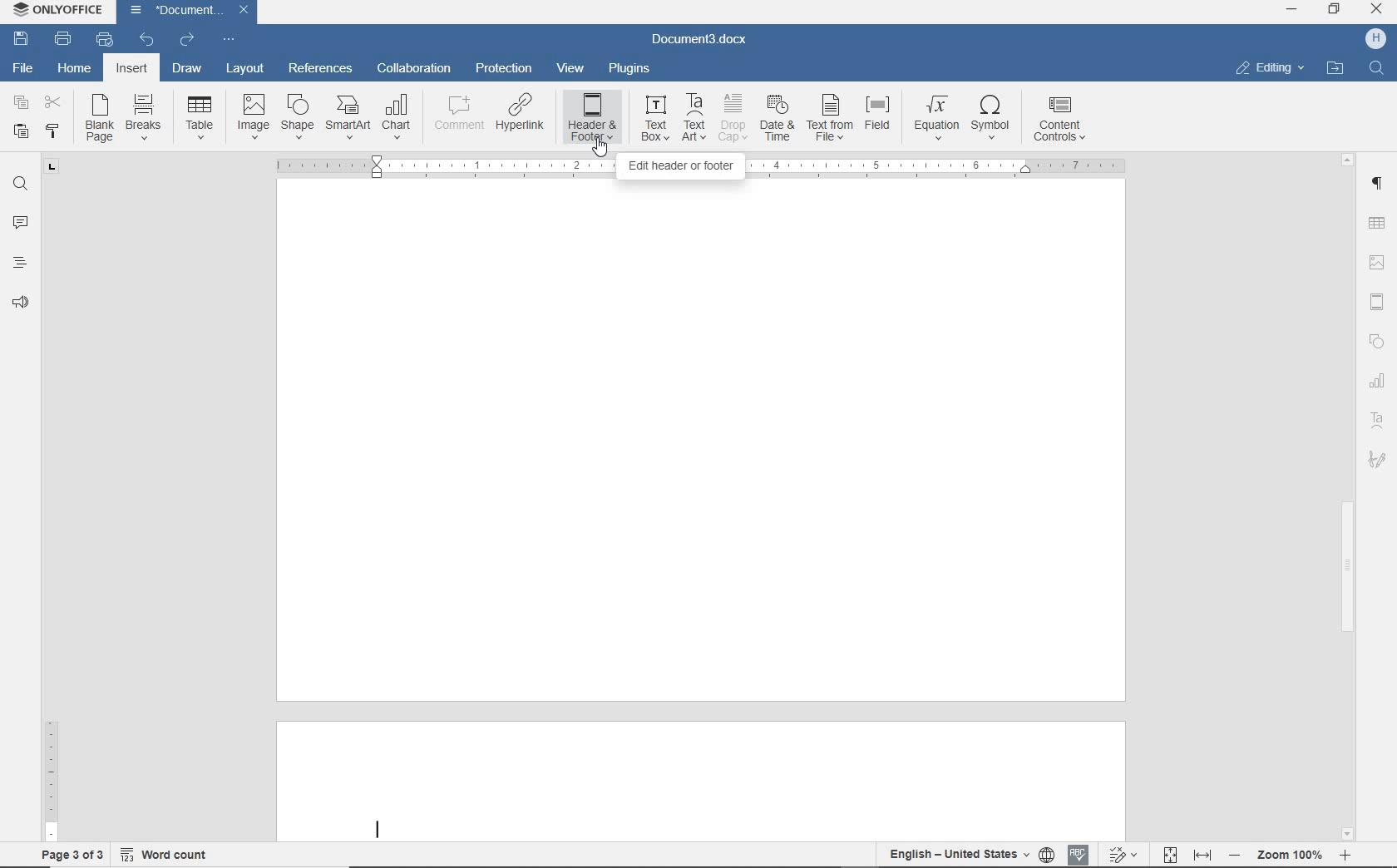 This screenshot has height=868, width=1397. Describe the element at coordinates (51, 747) in the screenshot. I see `RULER` at that location.